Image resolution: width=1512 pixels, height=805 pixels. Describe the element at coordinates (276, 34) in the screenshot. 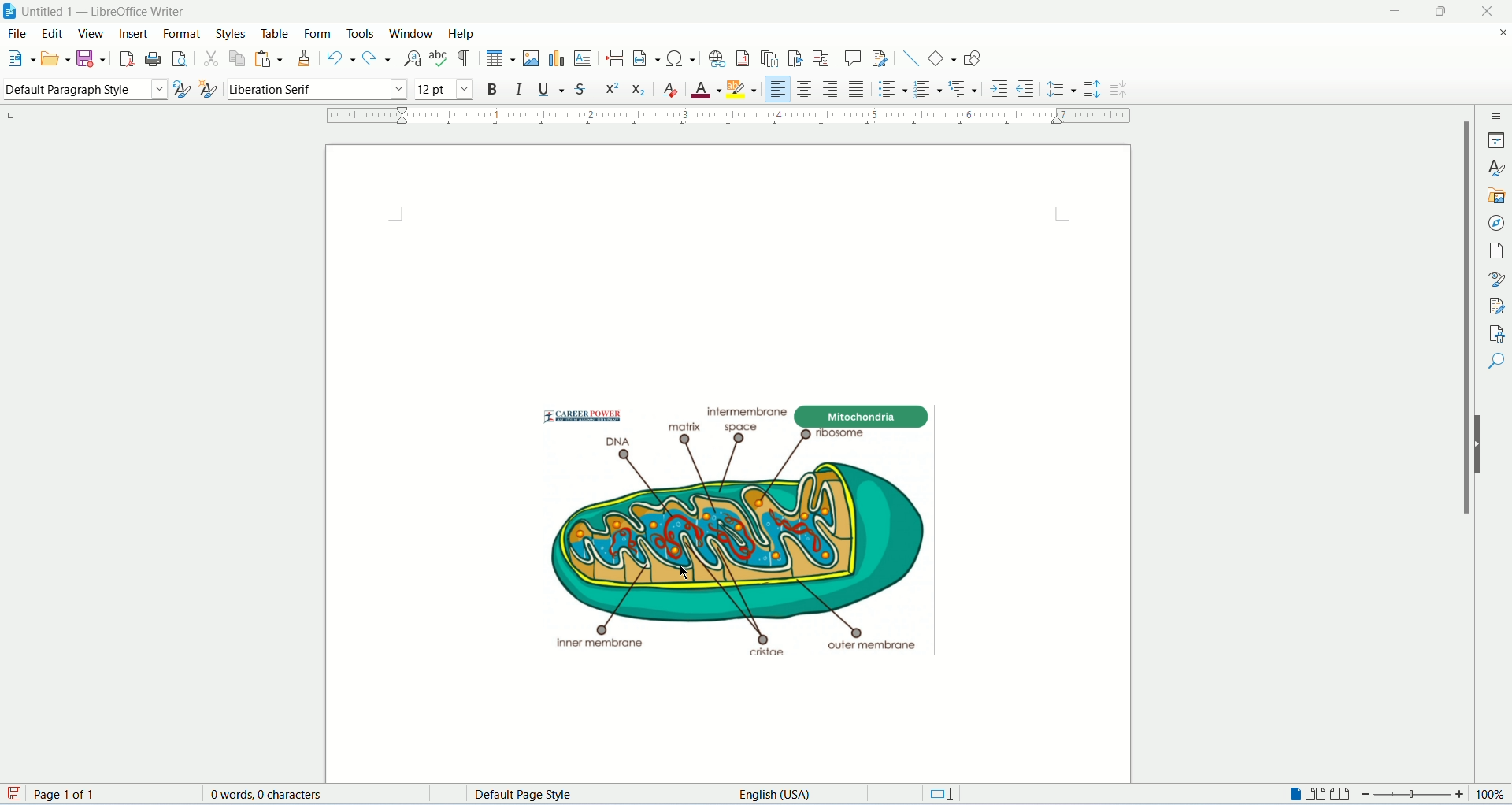

I see `table` at that location.